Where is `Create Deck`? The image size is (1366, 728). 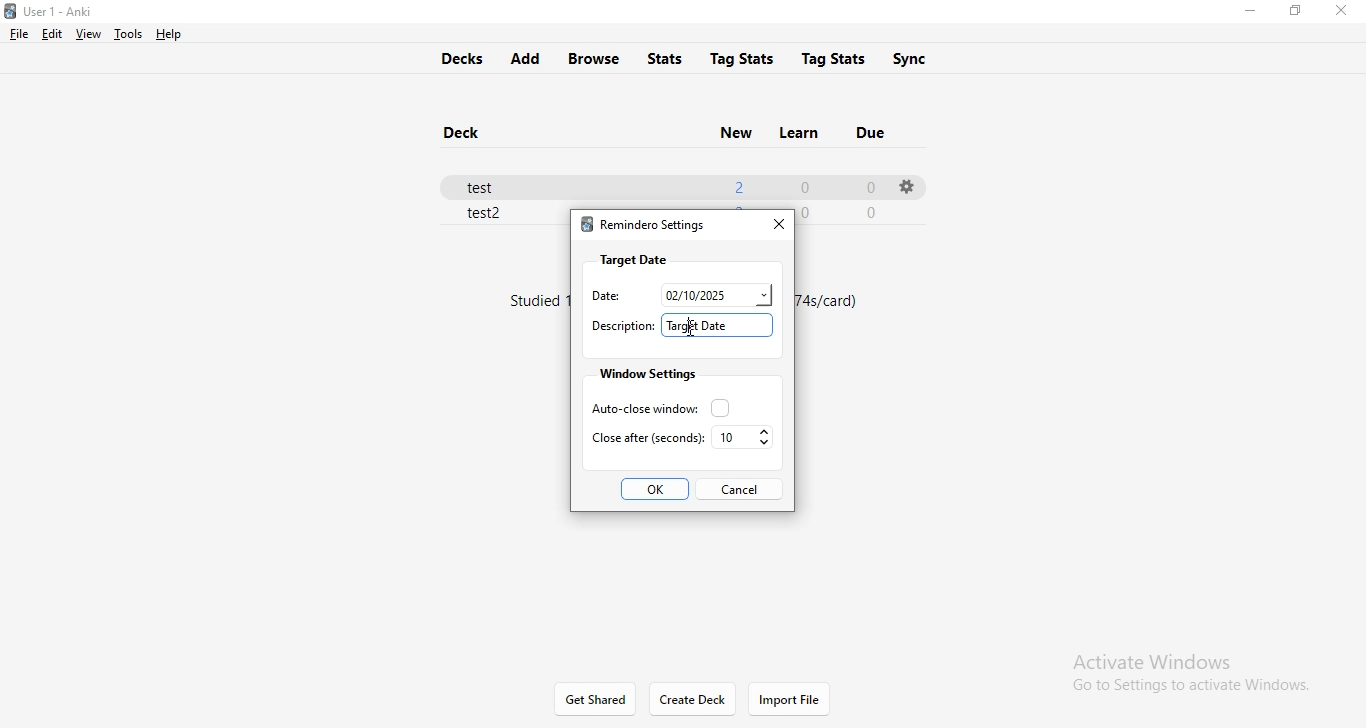
Create Deck is located at coordinates (693, 700).